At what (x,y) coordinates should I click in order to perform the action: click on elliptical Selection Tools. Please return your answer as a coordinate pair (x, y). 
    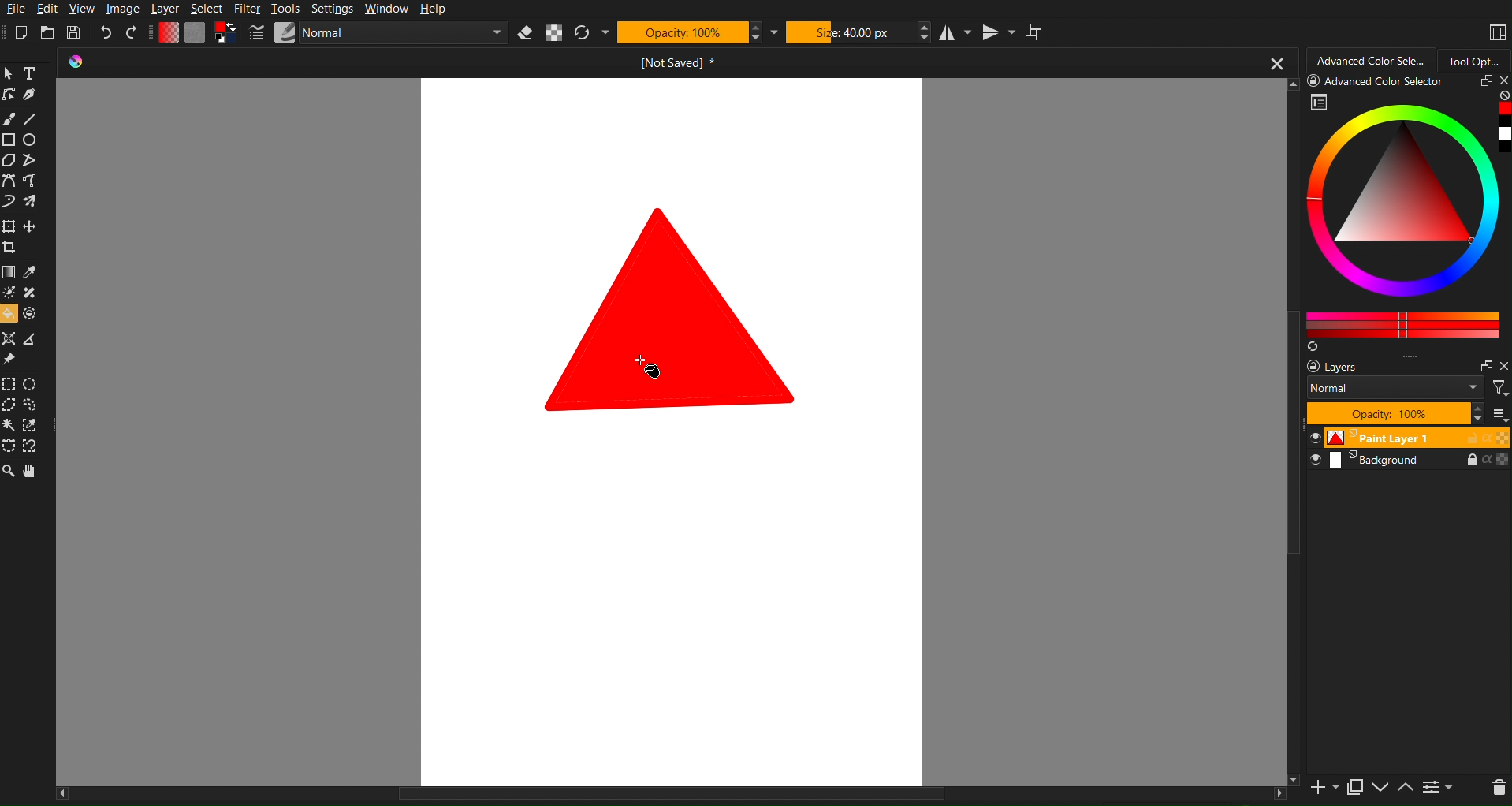
    Looking at the image, I should click on (33, 382).